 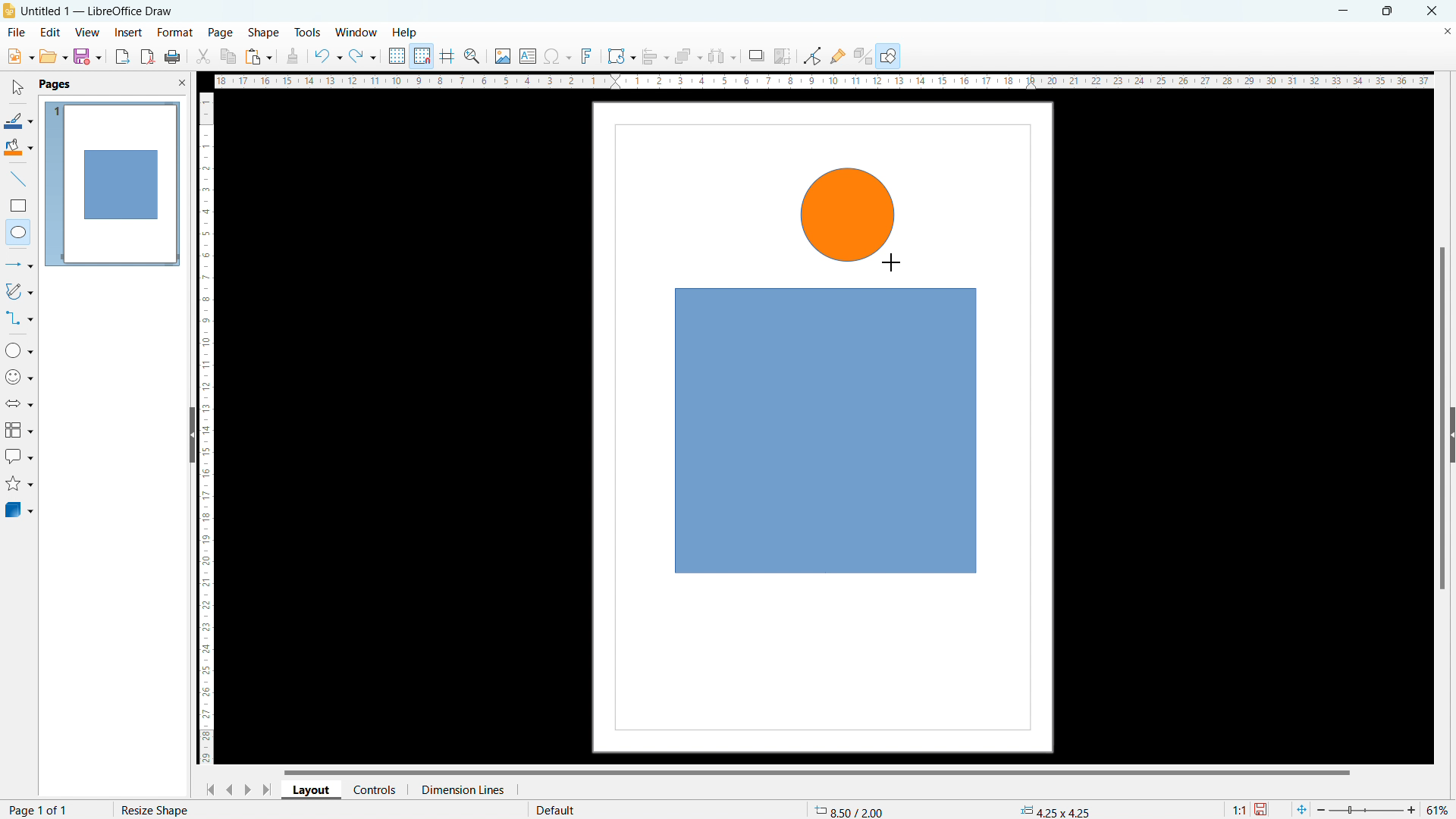 What do you see at coordinates (587, 55) in the screenshot?
I see `insert fontwork text` at bounding box center [587, 55].